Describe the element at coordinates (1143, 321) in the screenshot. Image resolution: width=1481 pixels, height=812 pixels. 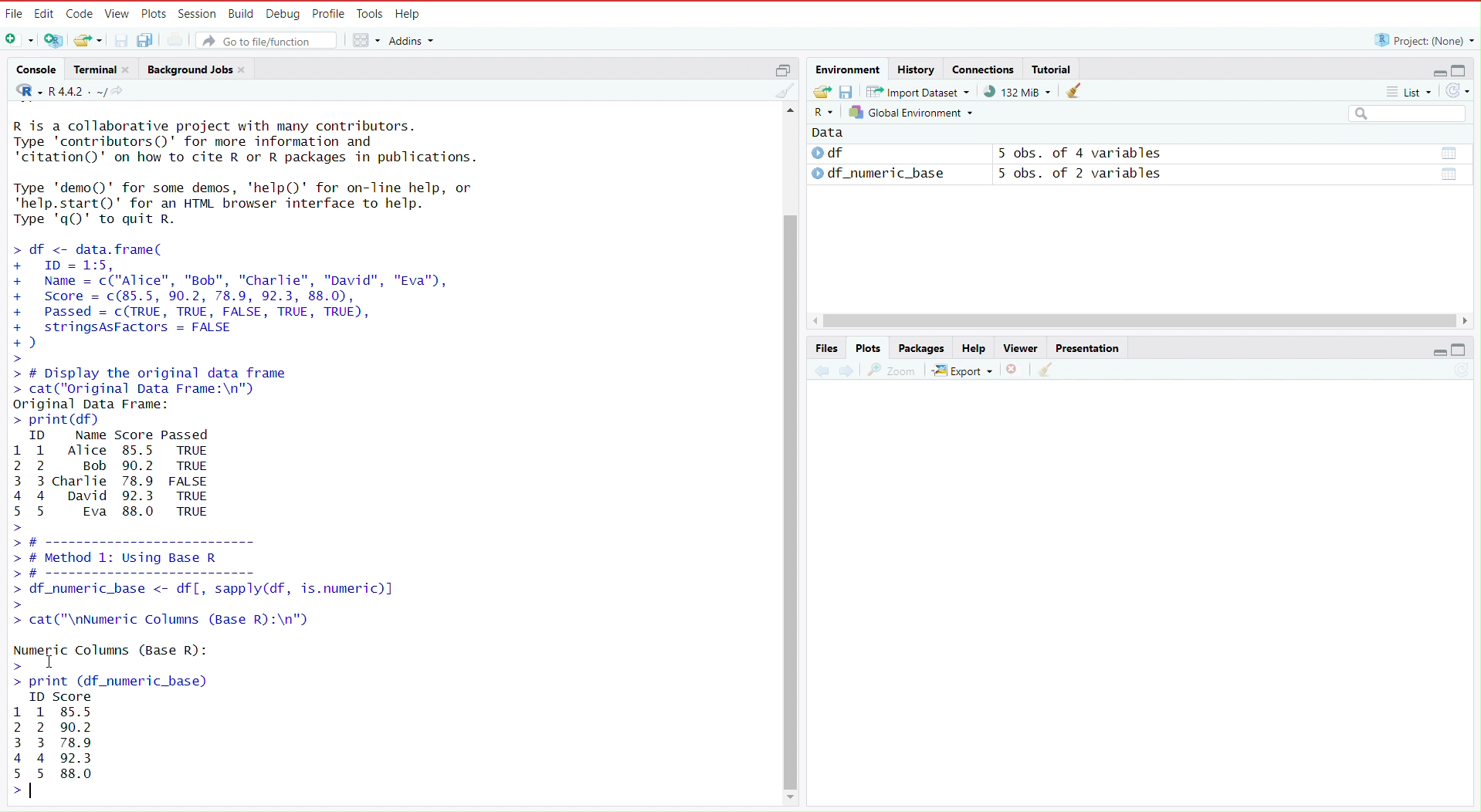
I see `scrollbar` at that location.